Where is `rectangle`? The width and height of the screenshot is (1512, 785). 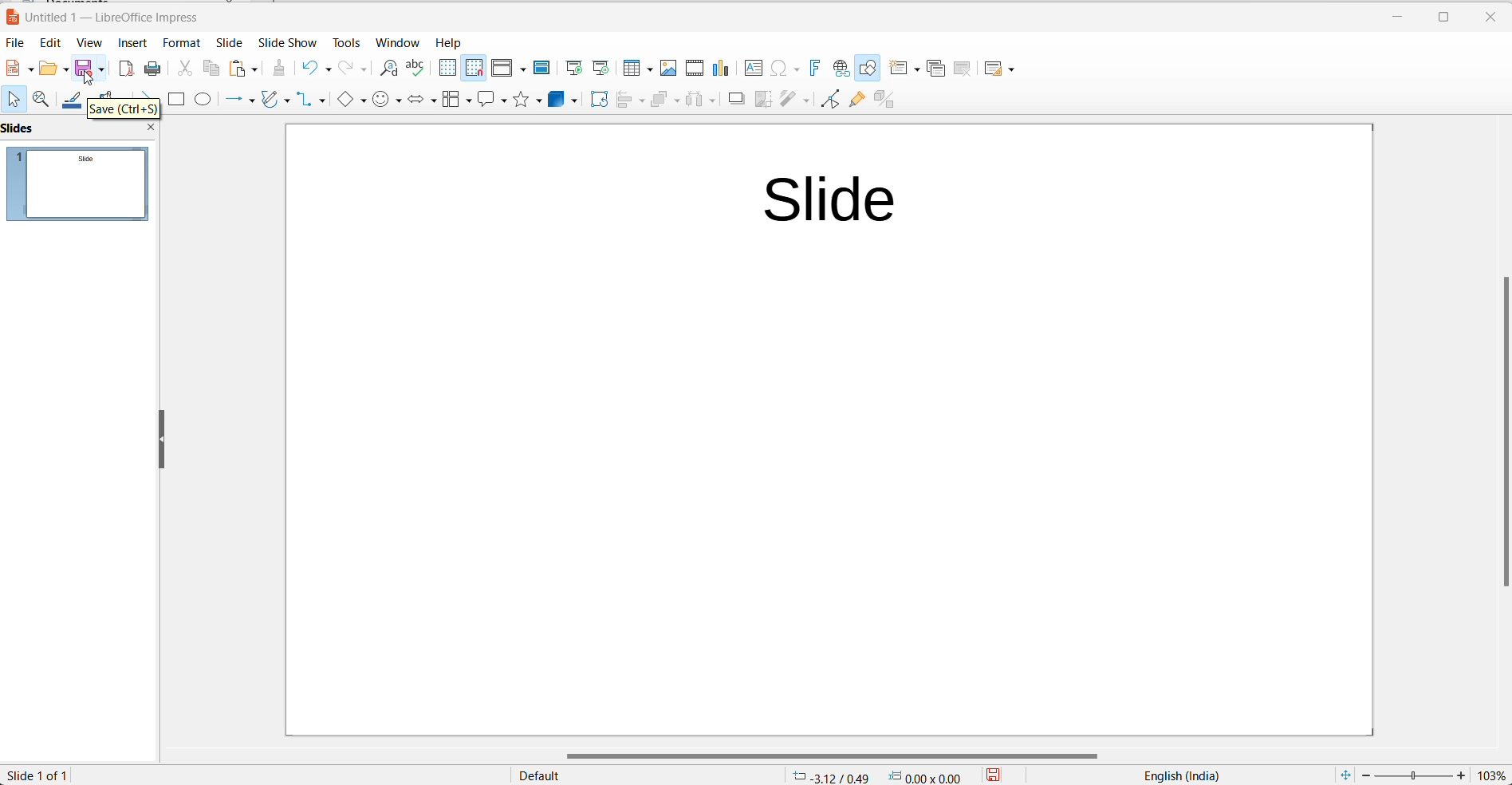
rectangle is located at coordinates (177, 97).